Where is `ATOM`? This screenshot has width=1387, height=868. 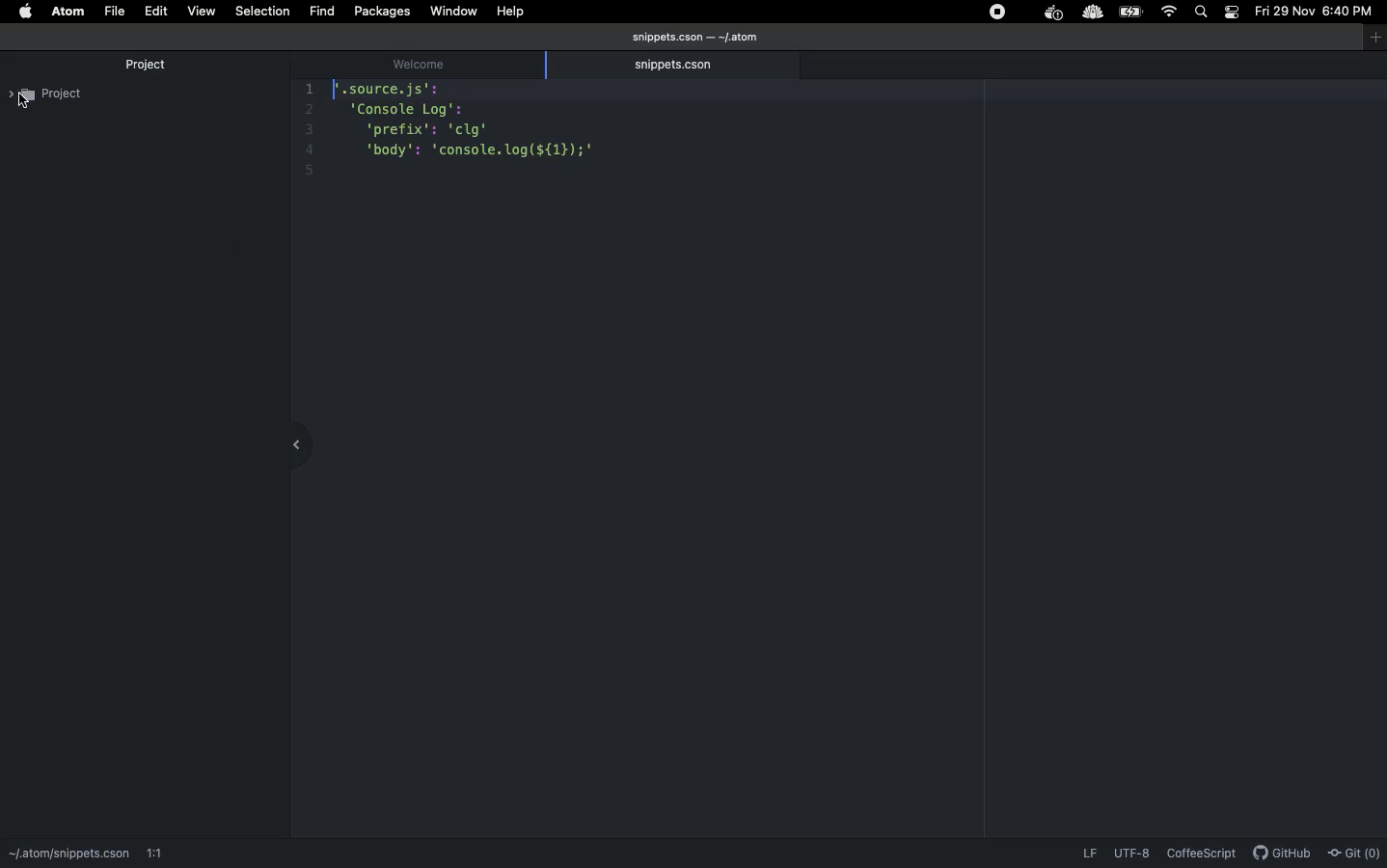
ATOM is located at coordinates (68, 12).